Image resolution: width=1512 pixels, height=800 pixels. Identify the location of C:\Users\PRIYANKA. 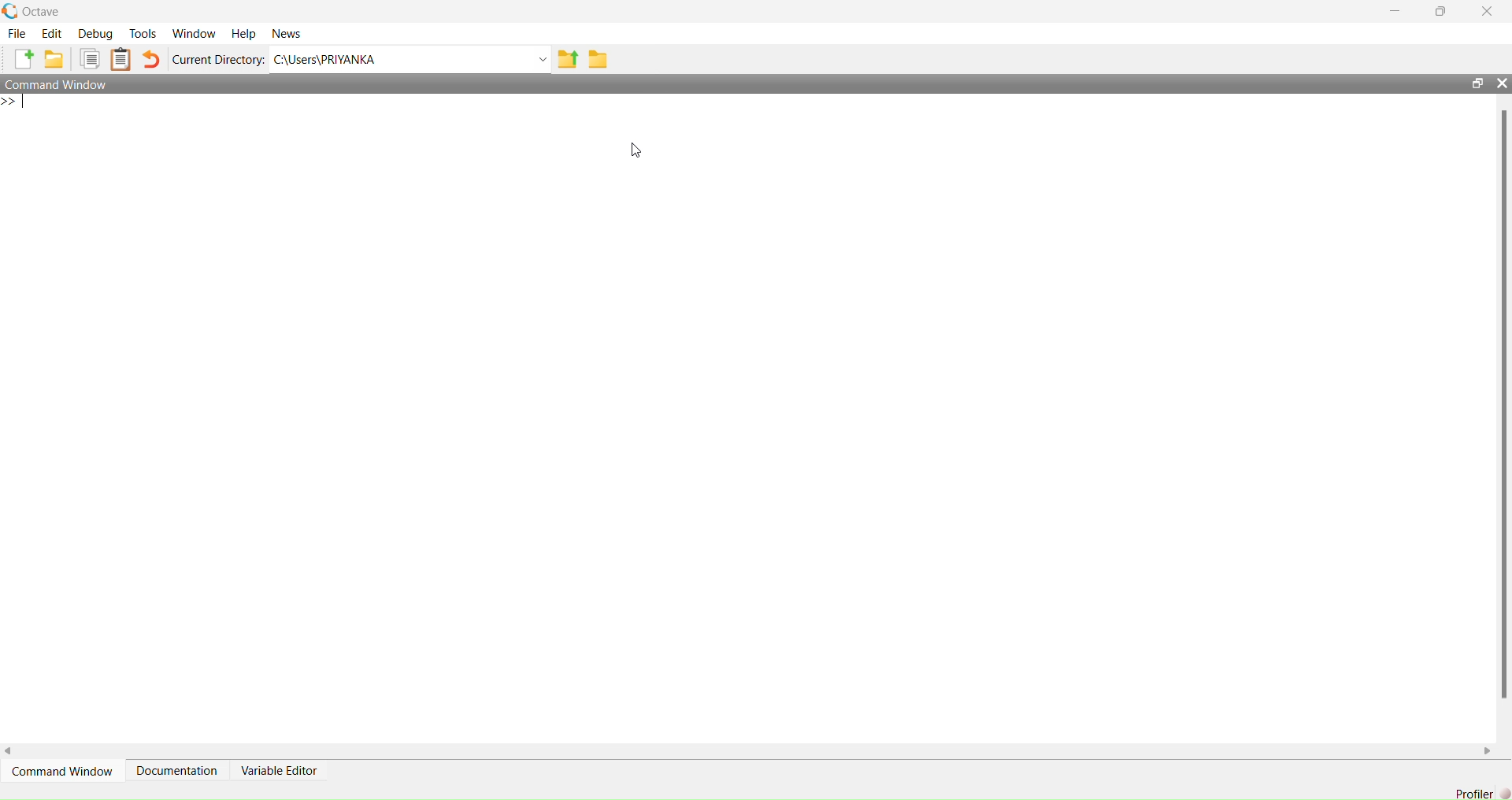
(398, 59).